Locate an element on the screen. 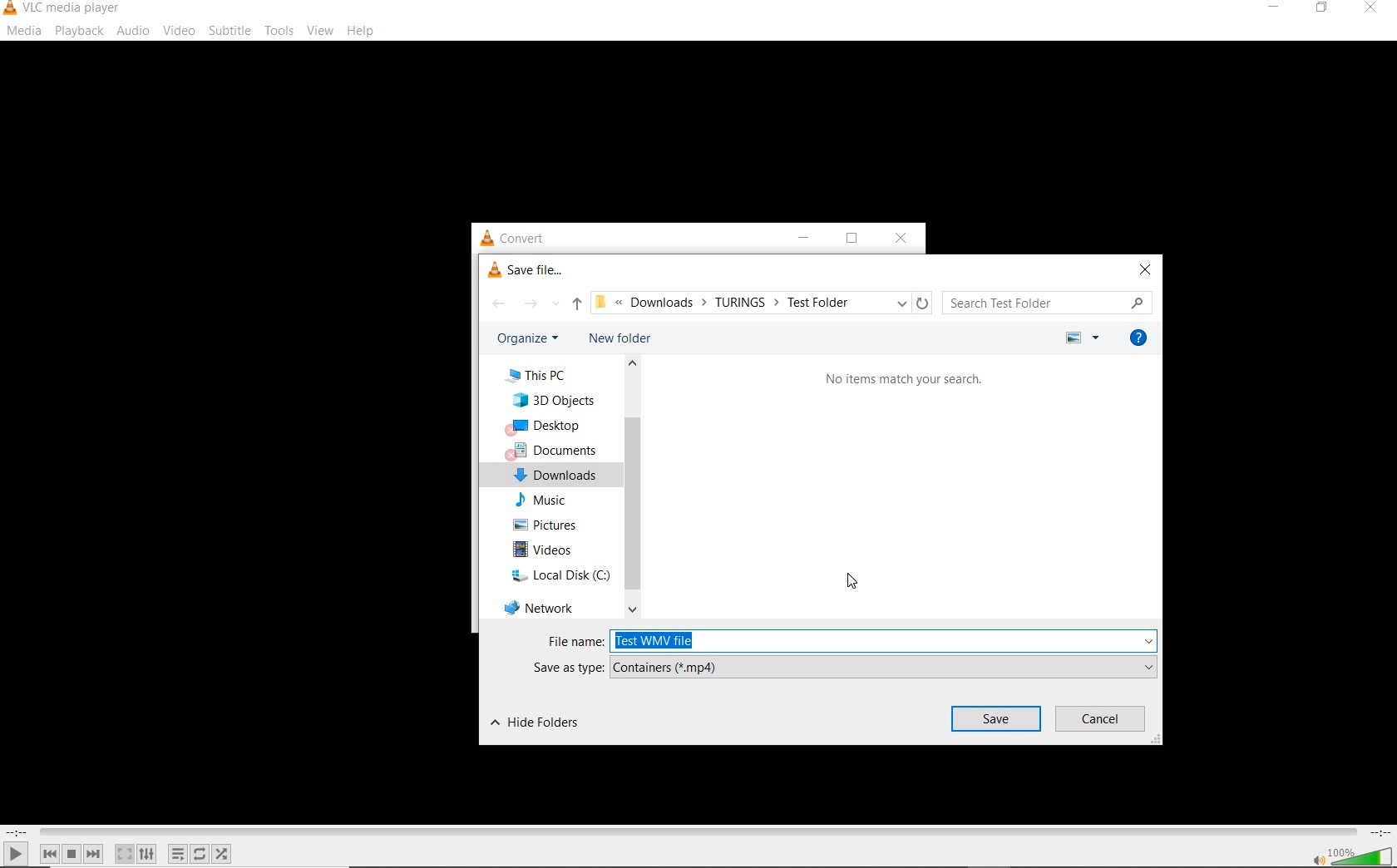 This screenshot has height=868, width=1397. random is located at coordinates (221, 854).